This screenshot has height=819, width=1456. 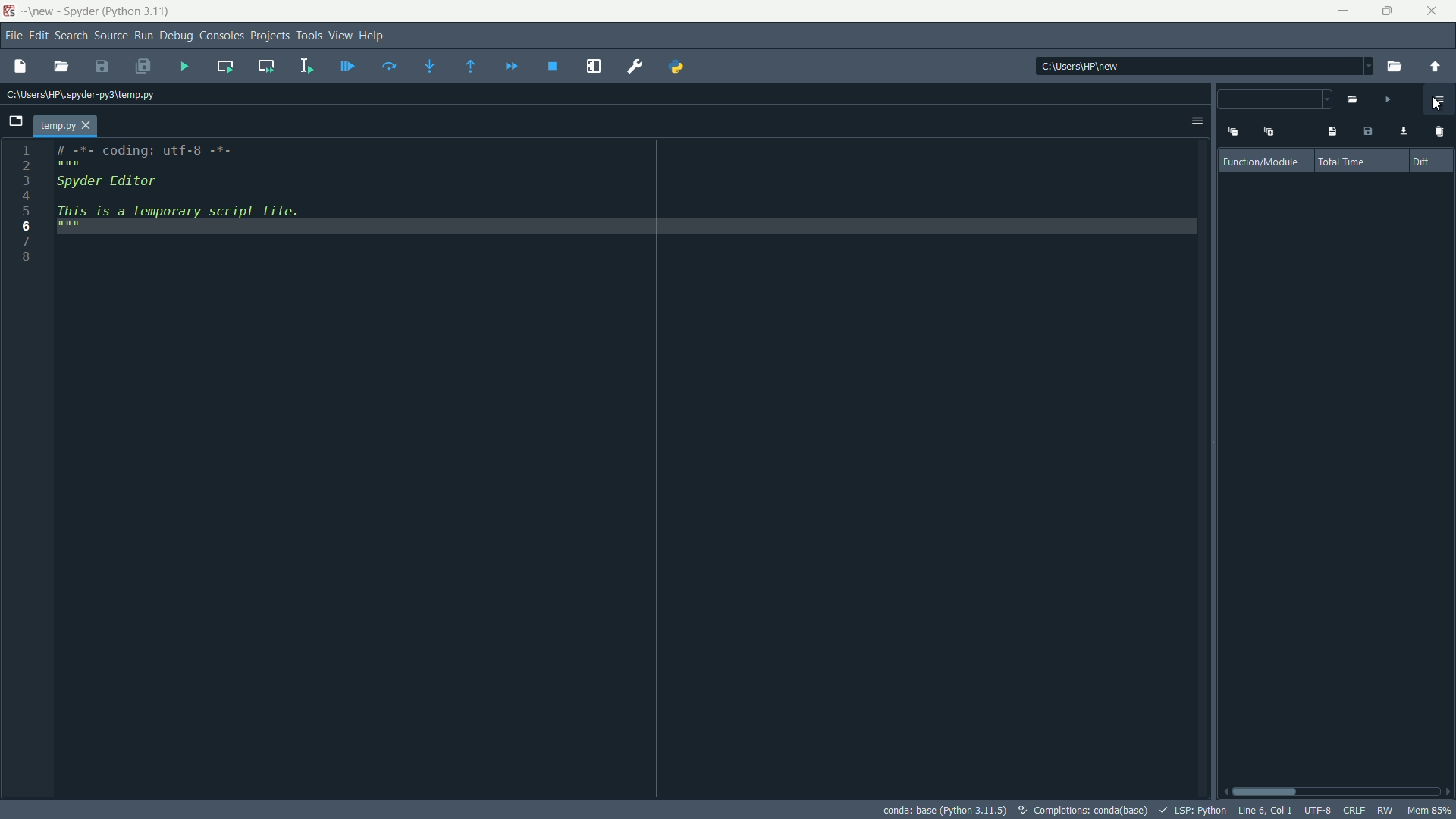 I want to click on open file, so click(x=60, y=67).